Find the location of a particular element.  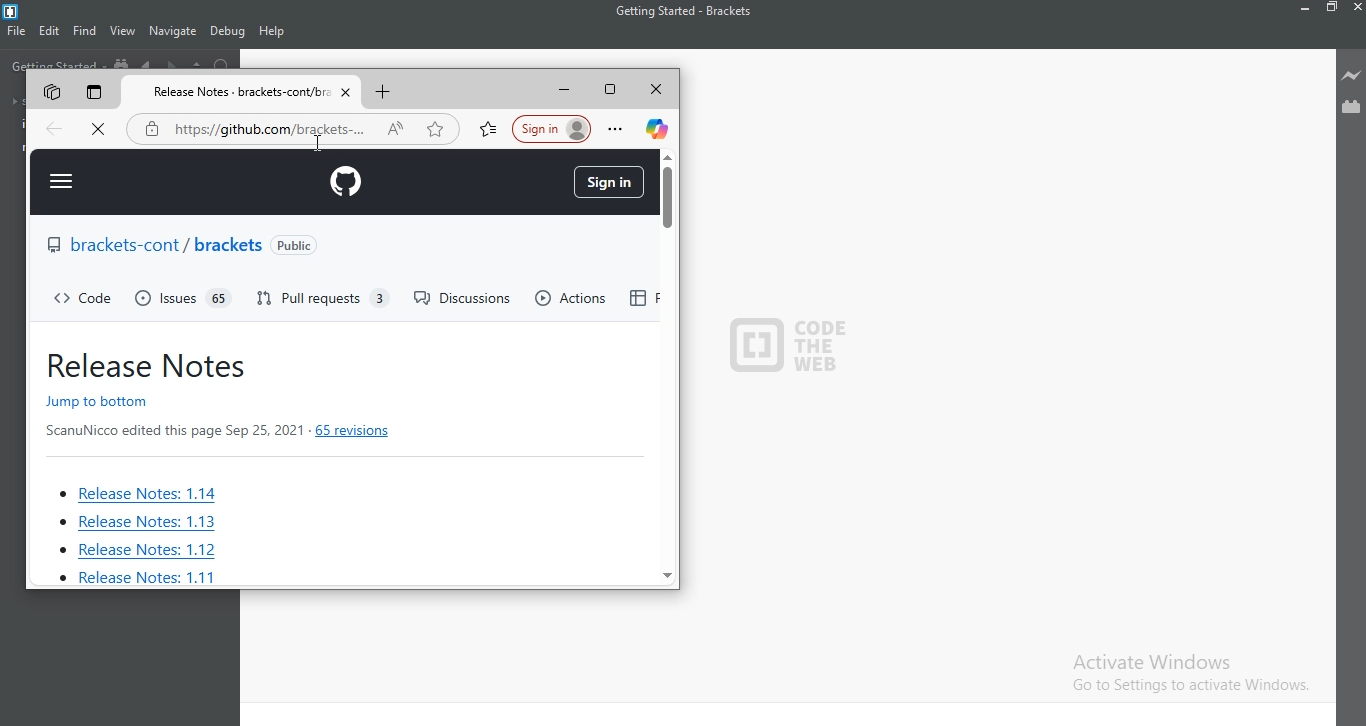

issues is located at coordinates (182, 298).